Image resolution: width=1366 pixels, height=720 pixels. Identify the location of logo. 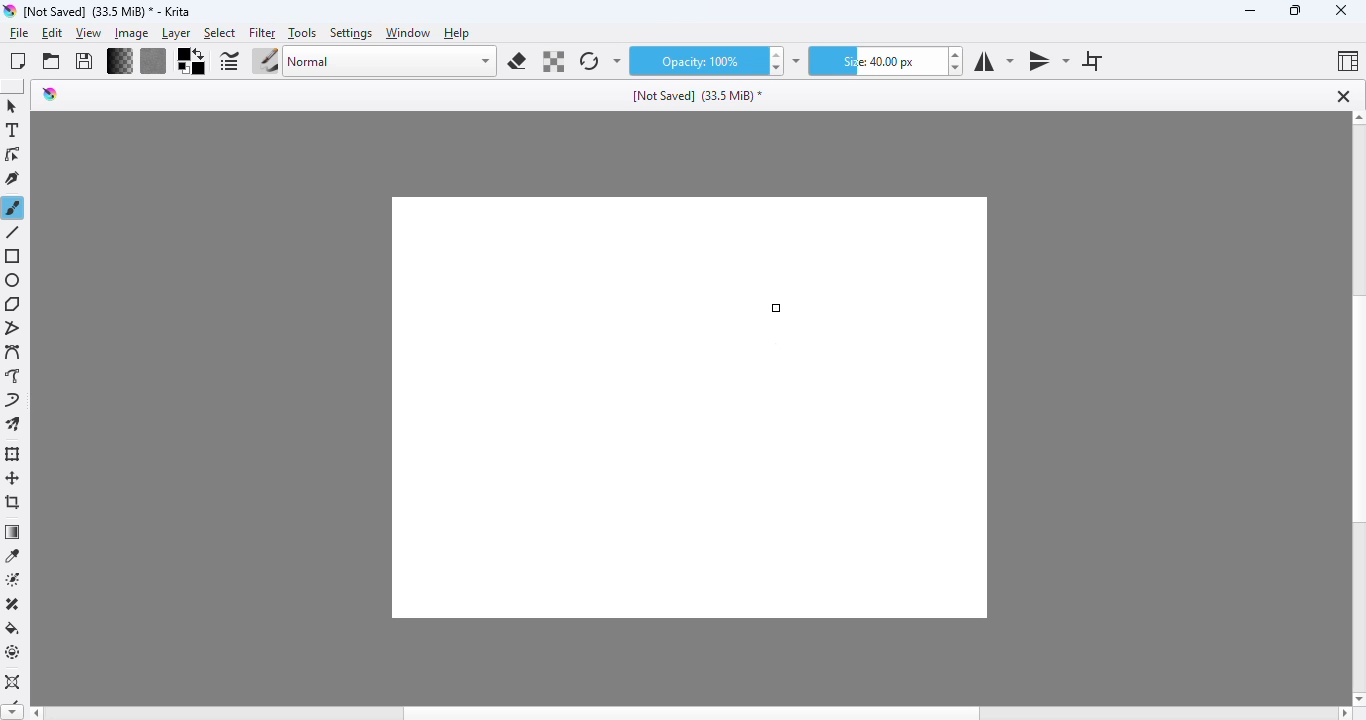
(50, 94).